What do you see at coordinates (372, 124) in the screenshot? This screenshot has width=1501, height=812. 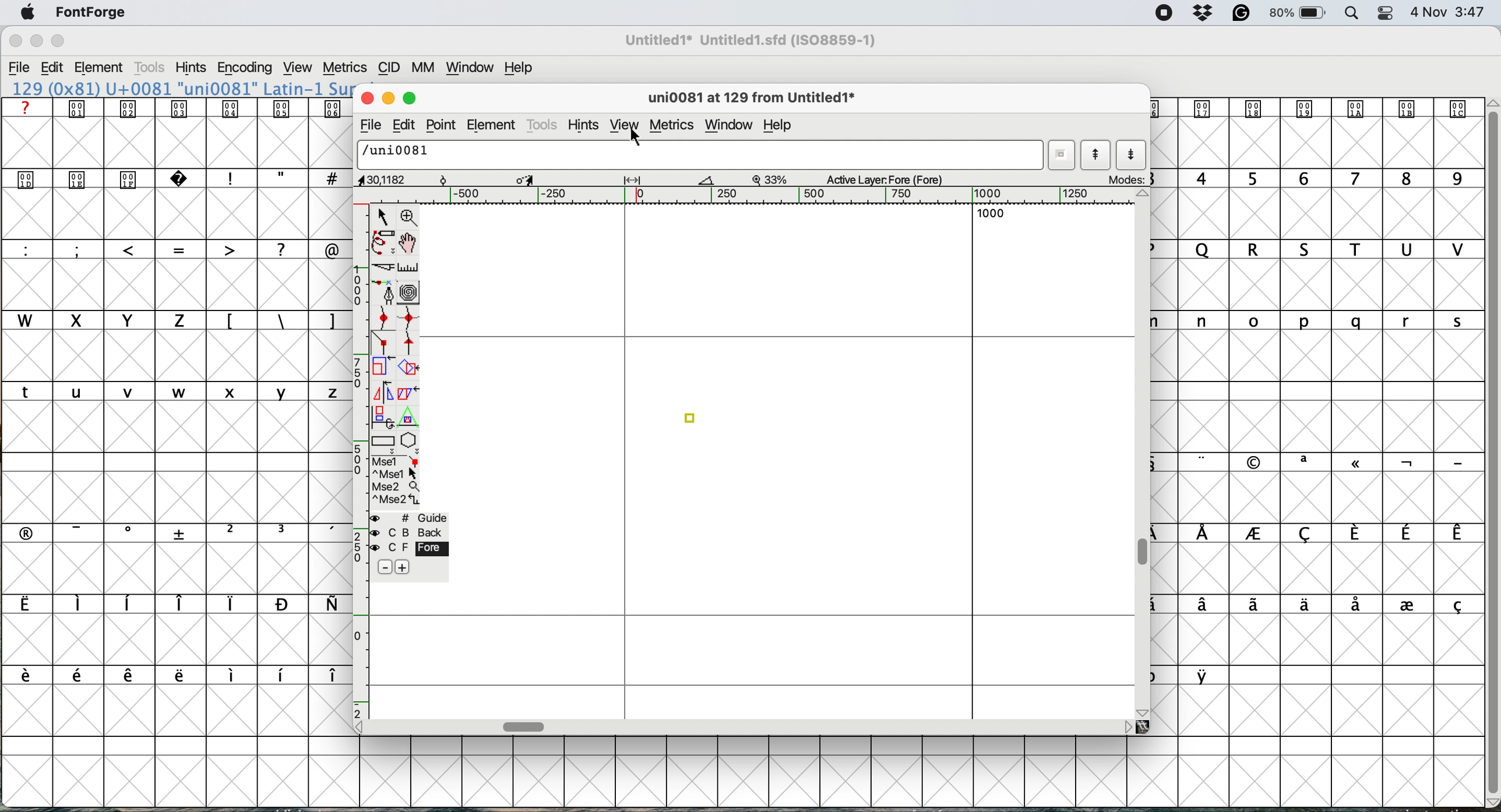 I see `file` at bounding box center [372, 124].